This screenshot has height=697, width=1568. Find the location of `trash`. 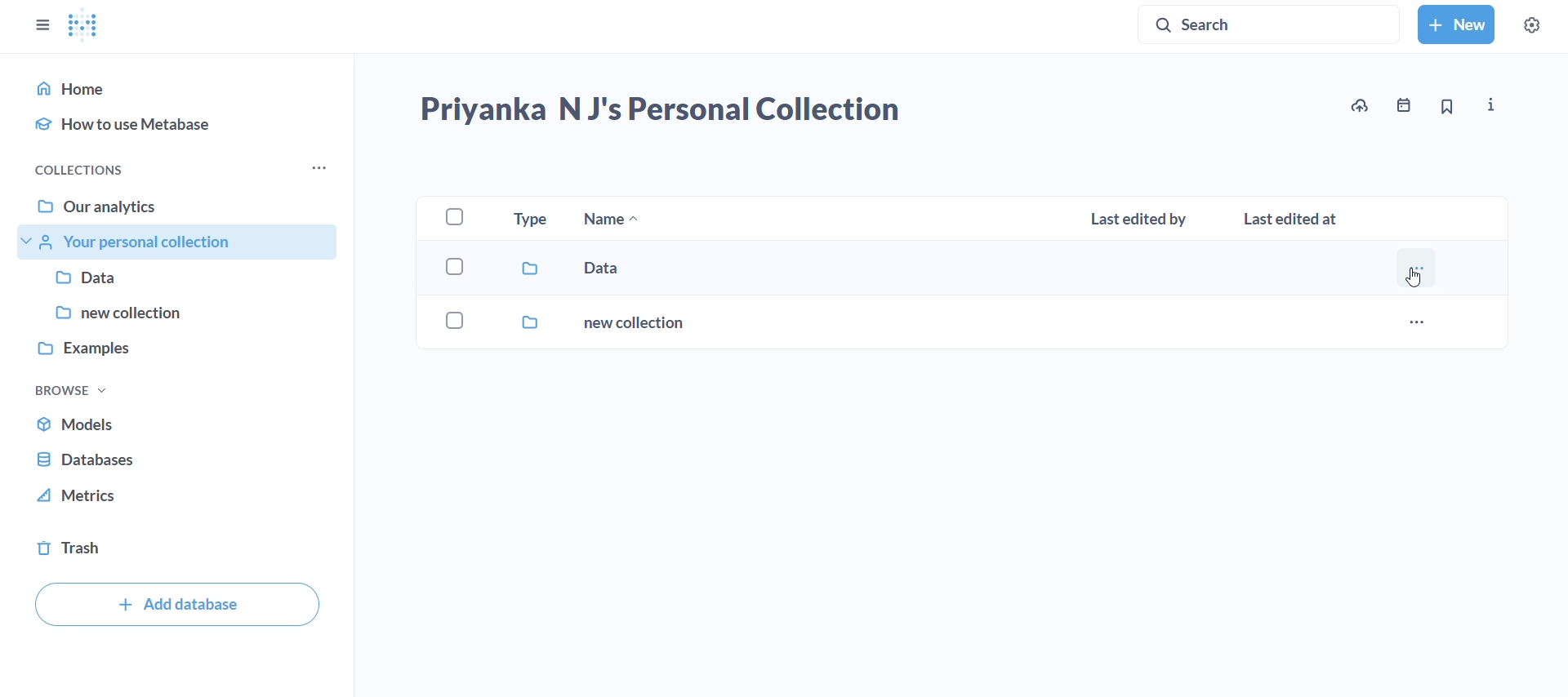

trash is located at coordinates (182, 552).